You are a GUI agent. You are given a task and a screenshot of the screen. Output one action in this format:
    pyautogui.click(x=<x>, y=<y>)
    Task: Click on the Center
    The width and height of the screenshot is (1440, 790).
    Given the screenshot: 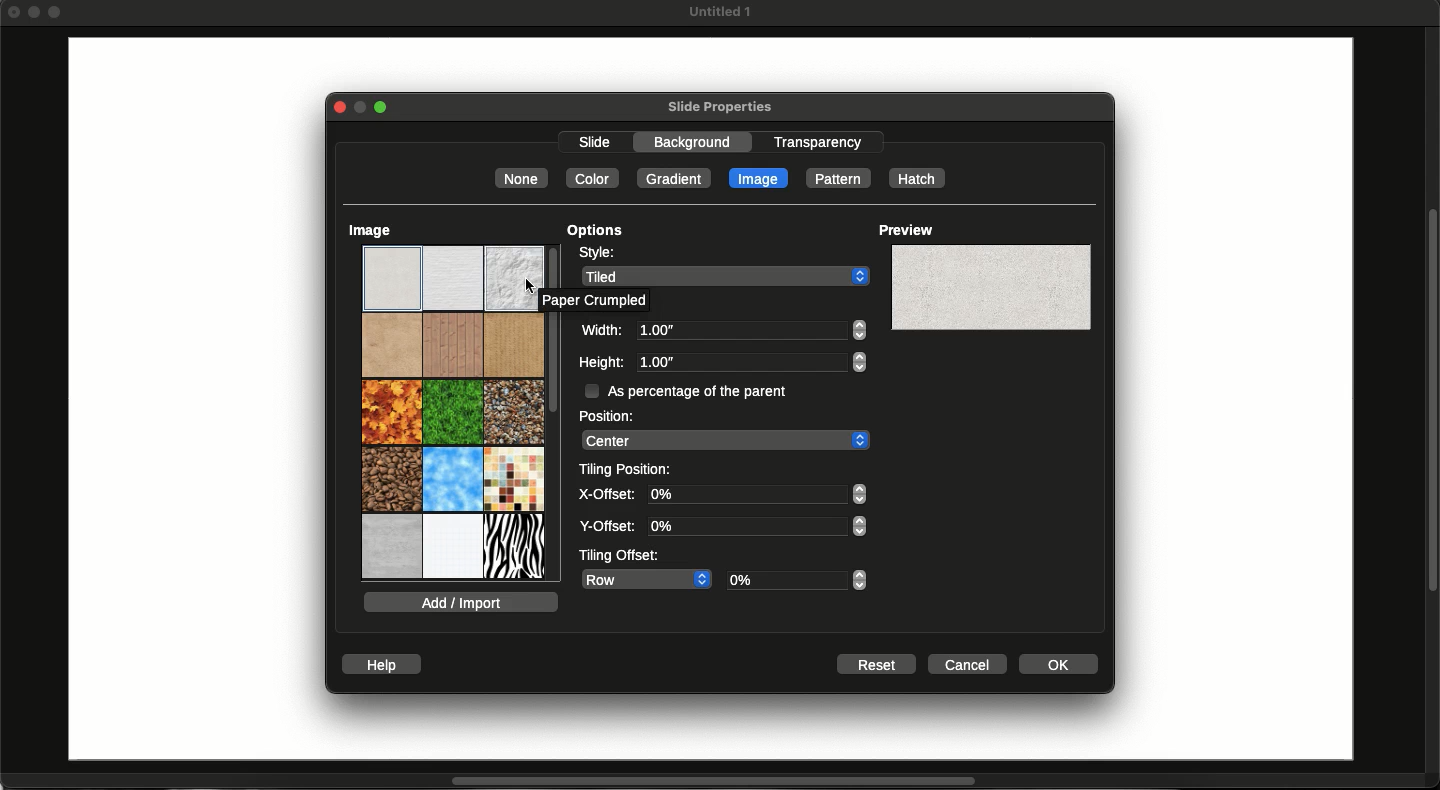 What is the action you would take?
    pyautogui.click(x=724, y=440)
    